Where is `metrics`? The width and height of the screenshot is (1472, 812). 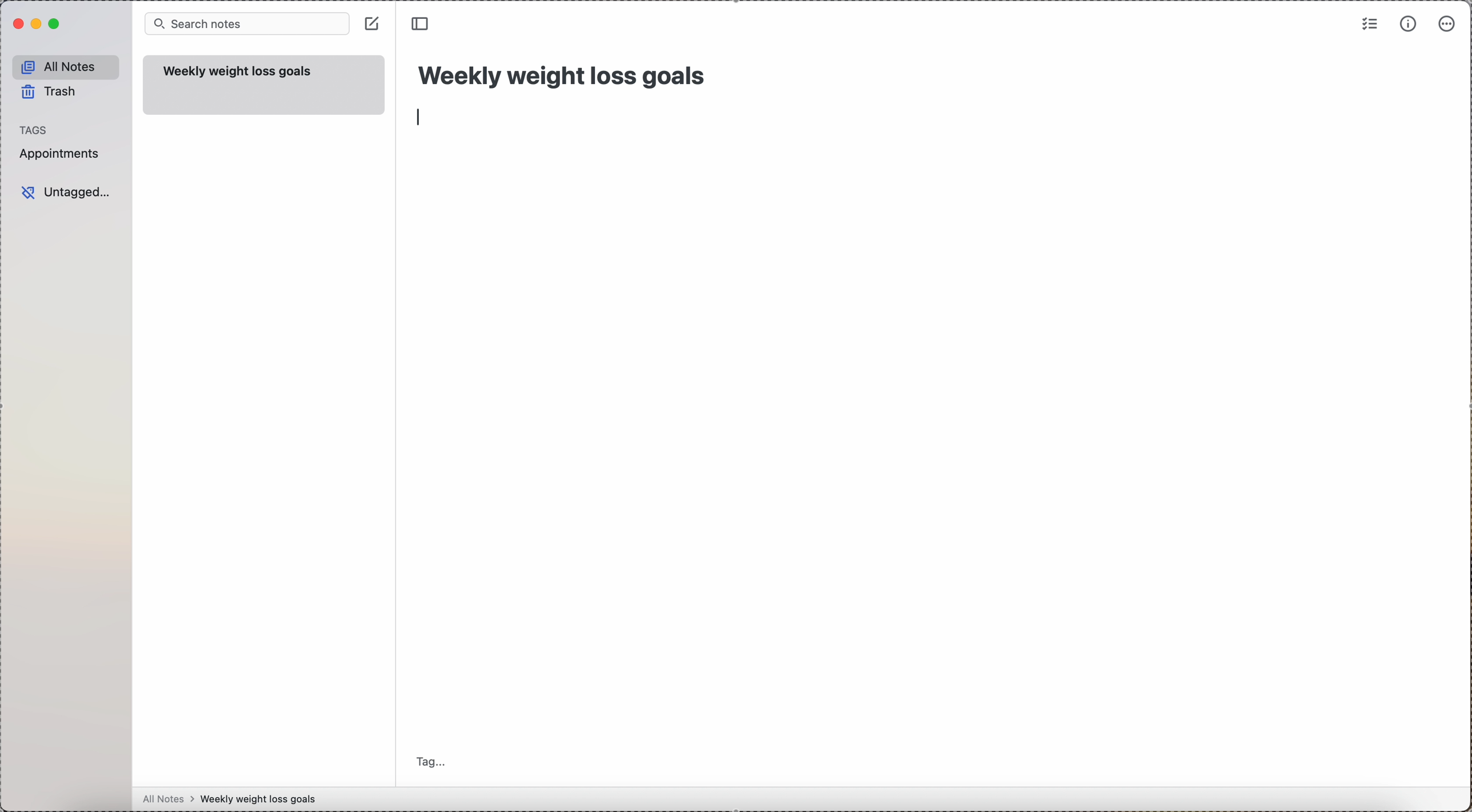 metrics is located at coordinates (1407, 25).